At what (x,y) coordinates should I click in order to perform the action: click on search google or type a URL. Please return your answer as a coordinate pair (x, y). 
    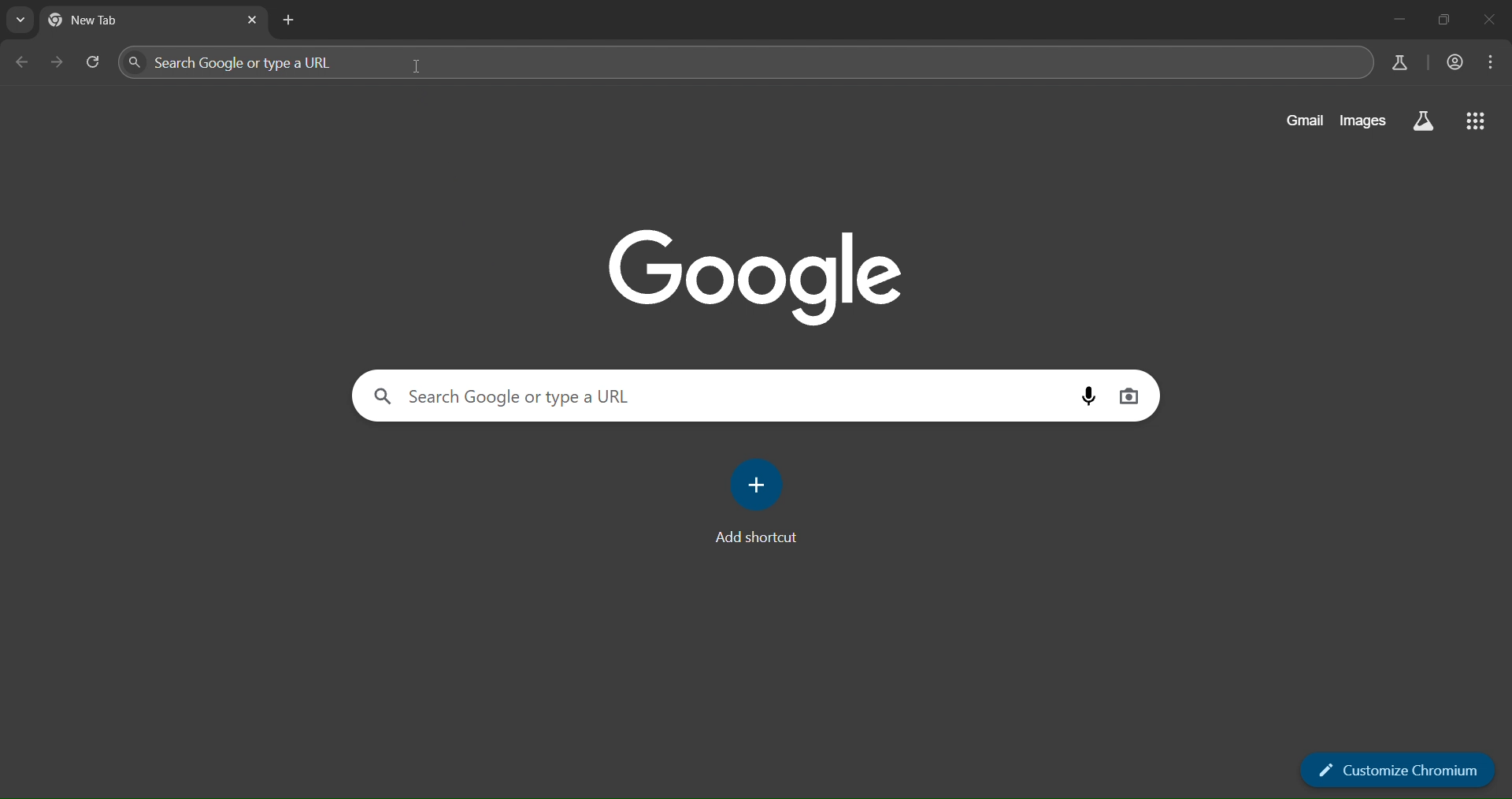
    Looking at the image, I should click on (720, 396).